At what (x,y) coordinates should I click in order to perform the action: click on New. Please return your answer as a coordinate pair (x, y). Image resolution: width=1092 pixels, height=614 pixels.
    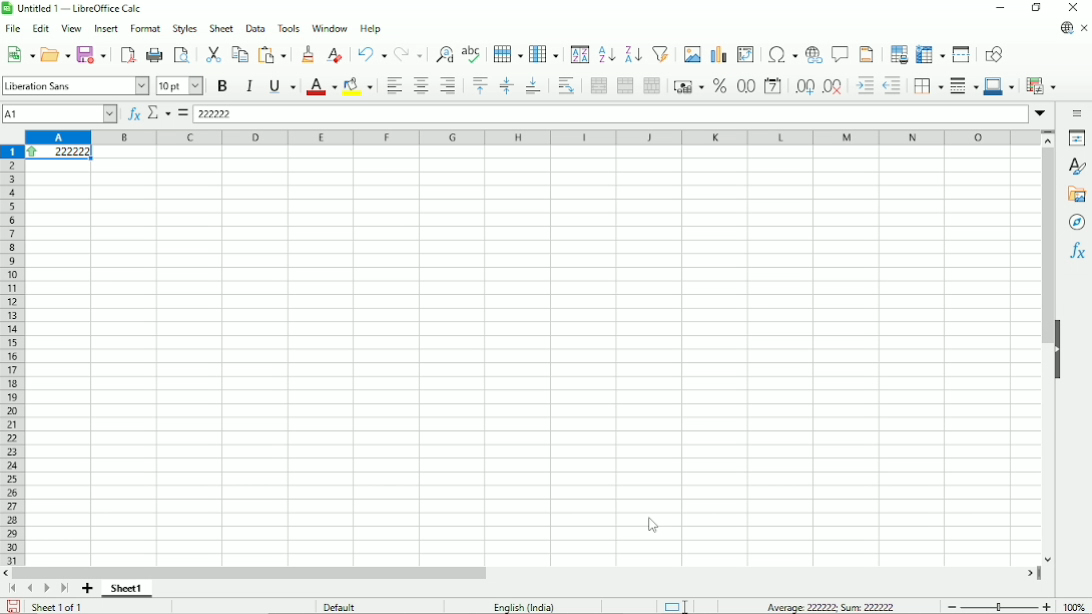
    Looking at the image, I should click on (21, 53).